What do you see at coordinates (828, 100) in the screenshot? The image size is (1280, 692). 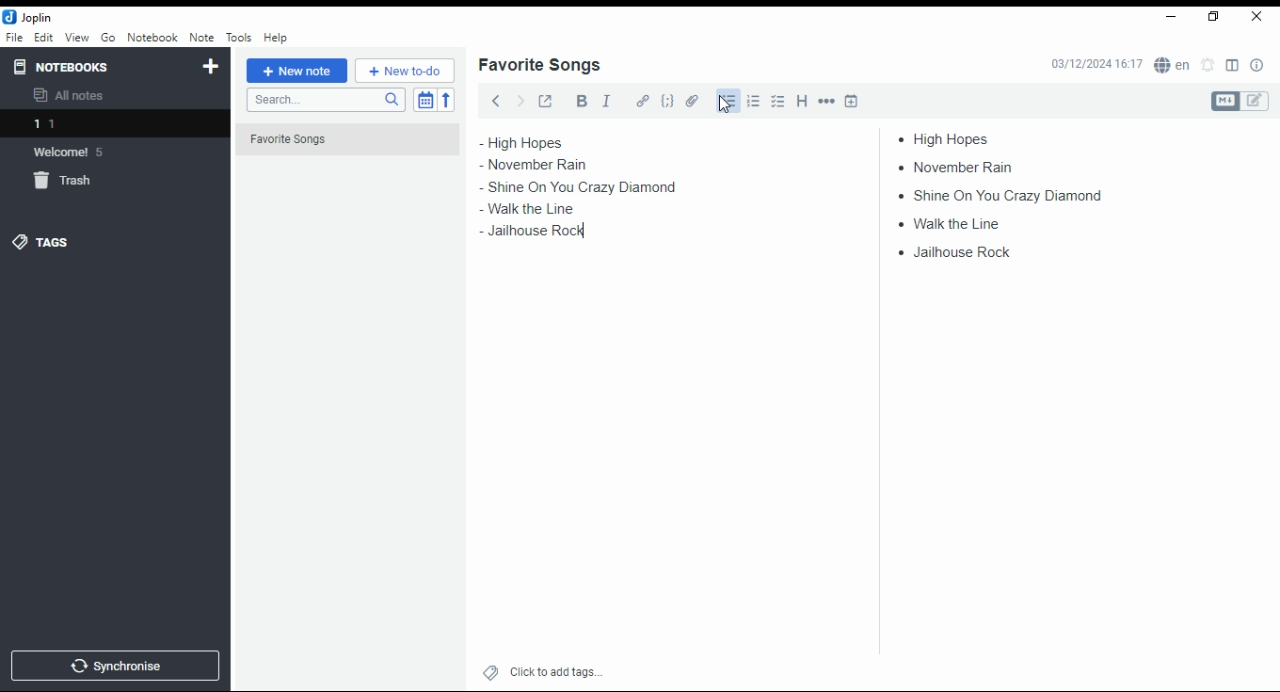 I see `horizontal rule` at bounding box center [828, 100].